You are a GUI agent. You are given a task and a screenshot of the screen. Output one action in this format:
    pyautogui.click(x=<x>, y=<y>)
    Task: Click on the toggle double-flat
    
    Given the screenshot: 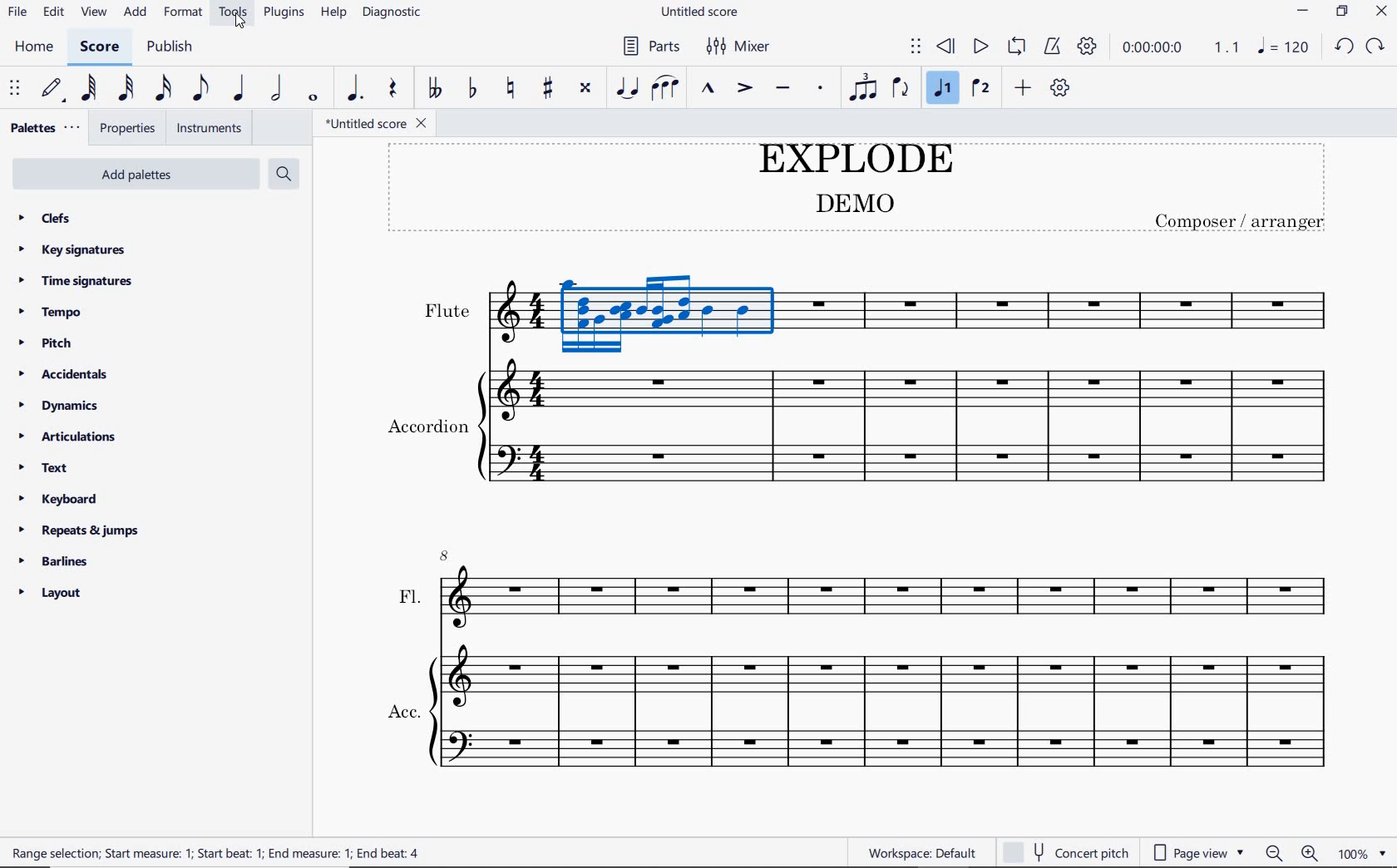 What is the action you would take?
    pyautogui.click(x=432, y=88)
    